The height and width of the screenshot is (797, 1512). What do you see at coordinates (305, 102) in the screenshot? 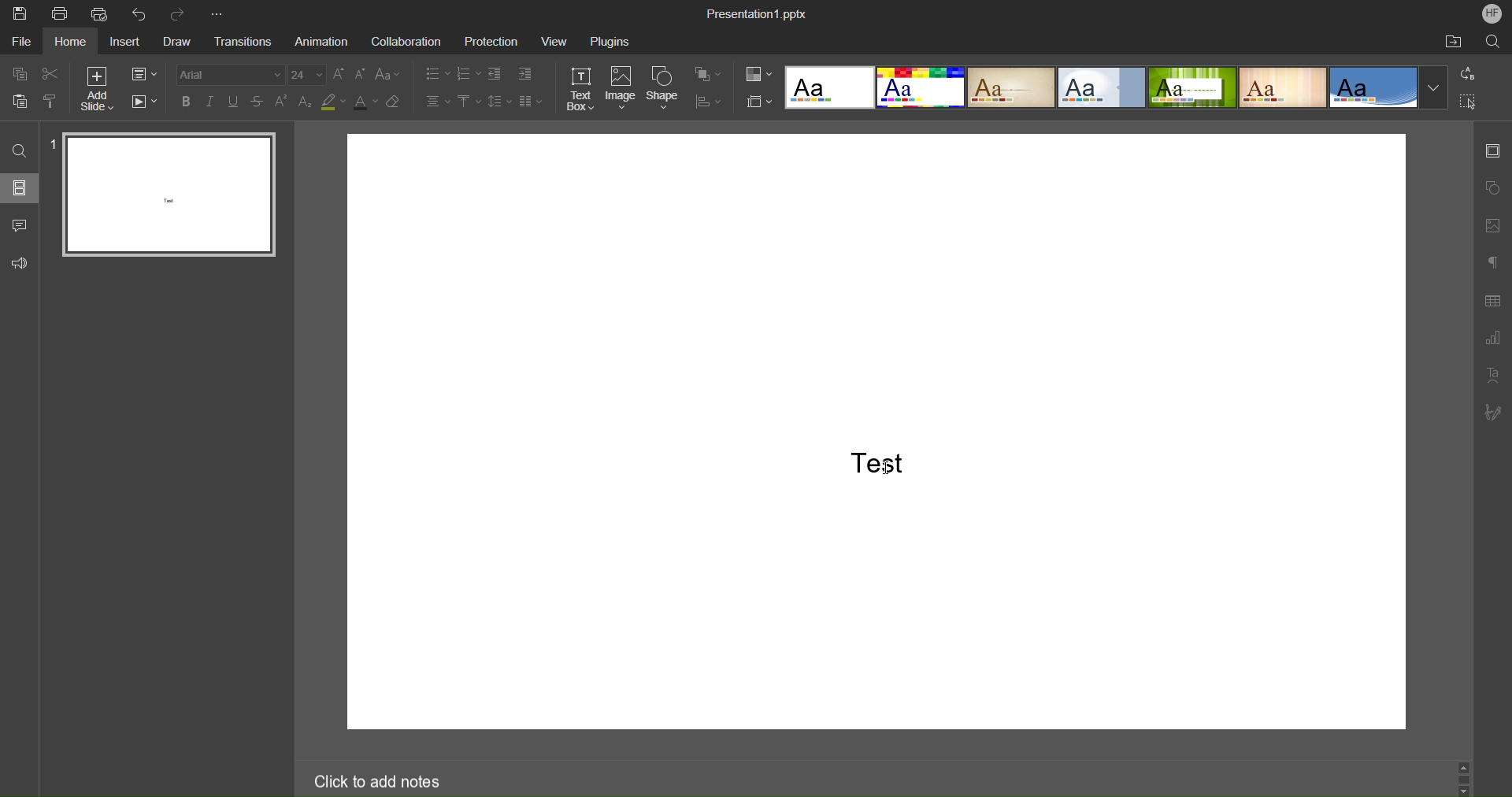
I see `Subscript` at bounding box center [305, 102].